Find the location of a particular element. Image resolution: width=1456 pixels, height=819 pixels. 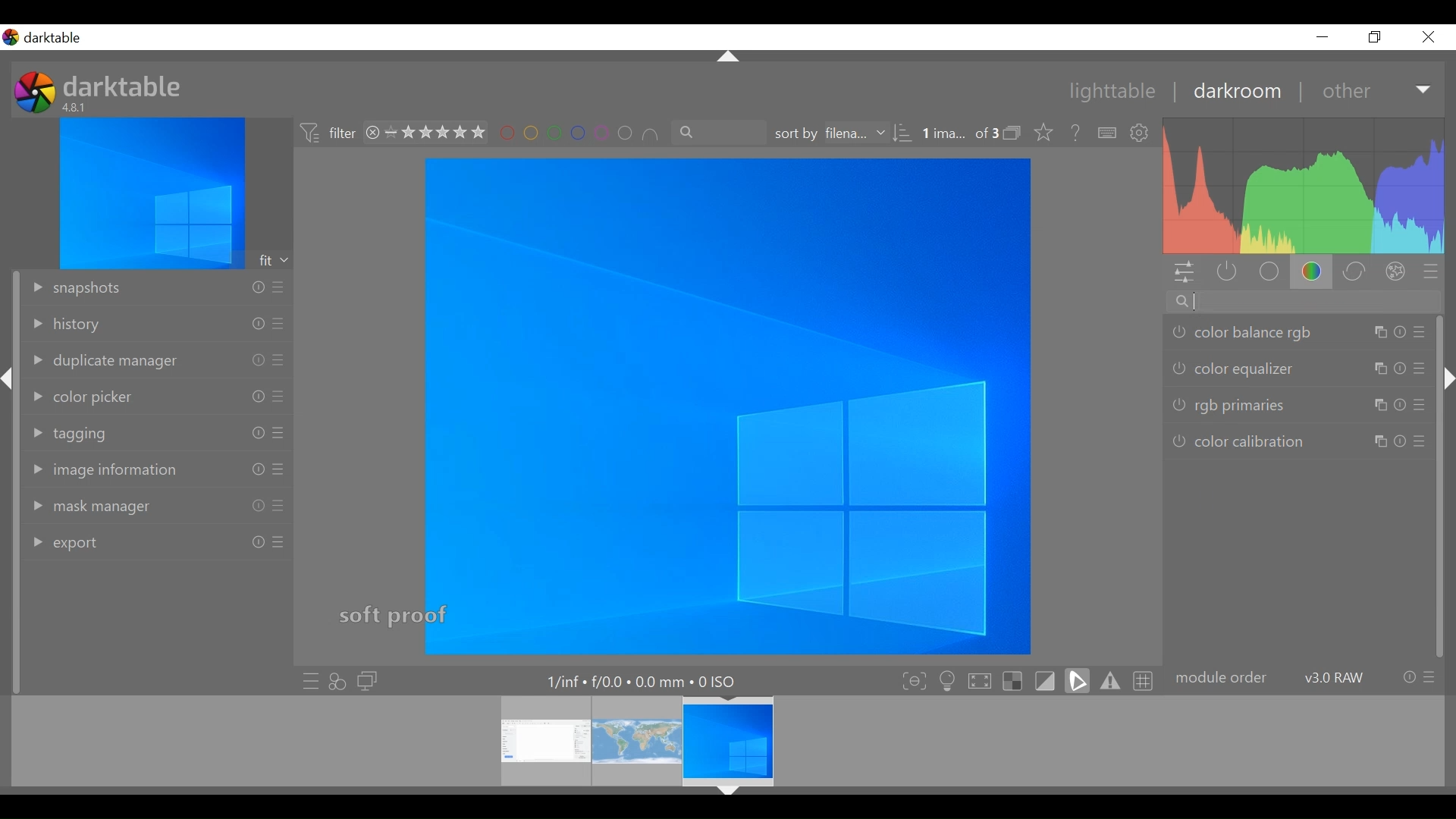

history is located at coordinates (65, 325).